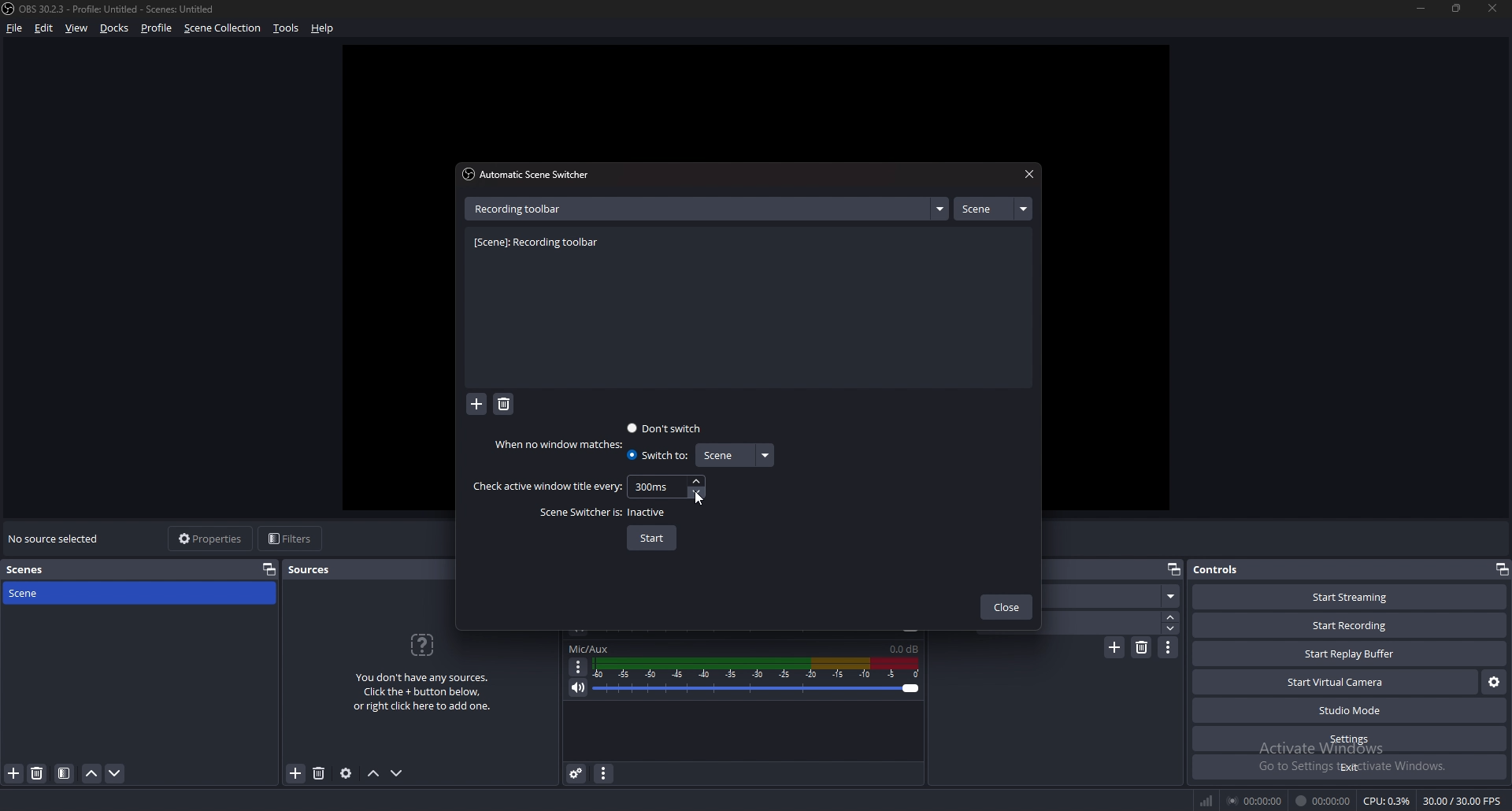  I want to click on cursor, so click(698, 497).